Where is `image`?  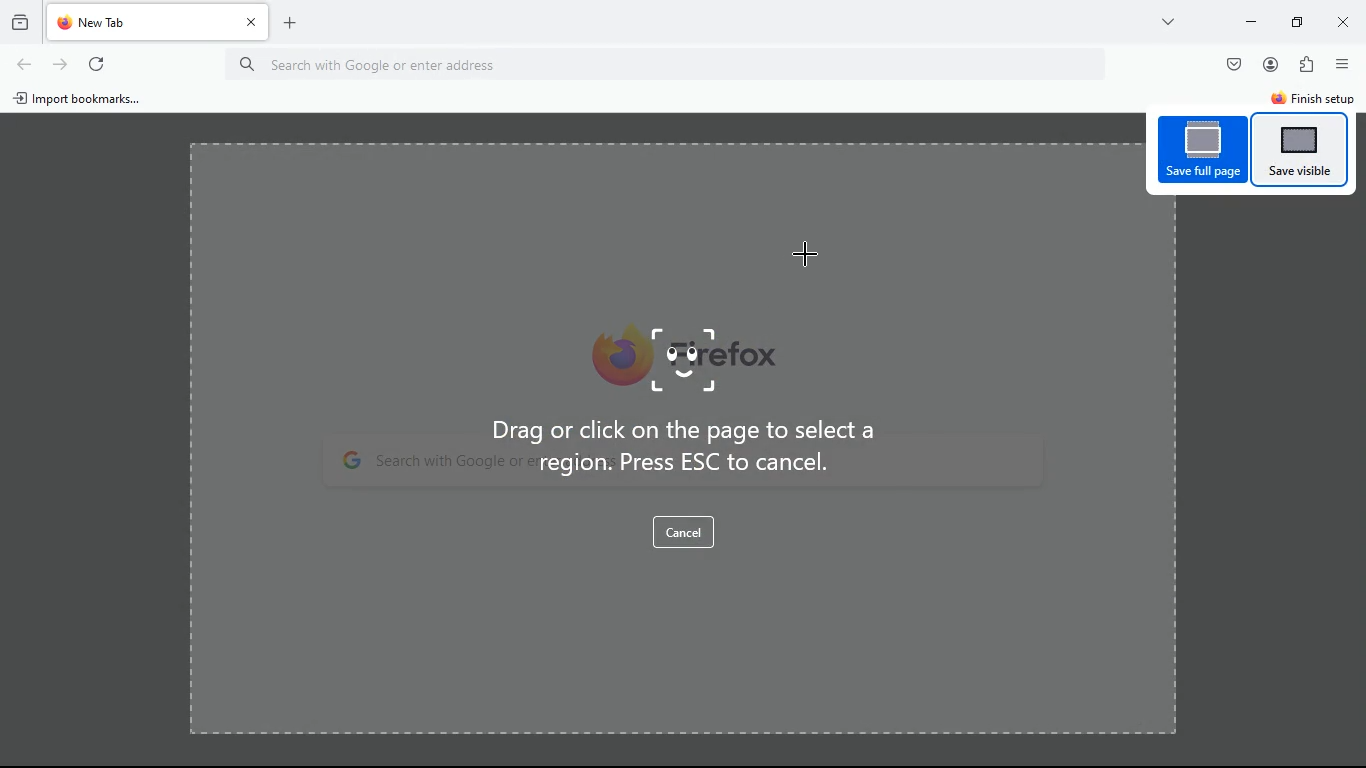 image is located at coordinates (691, 361).